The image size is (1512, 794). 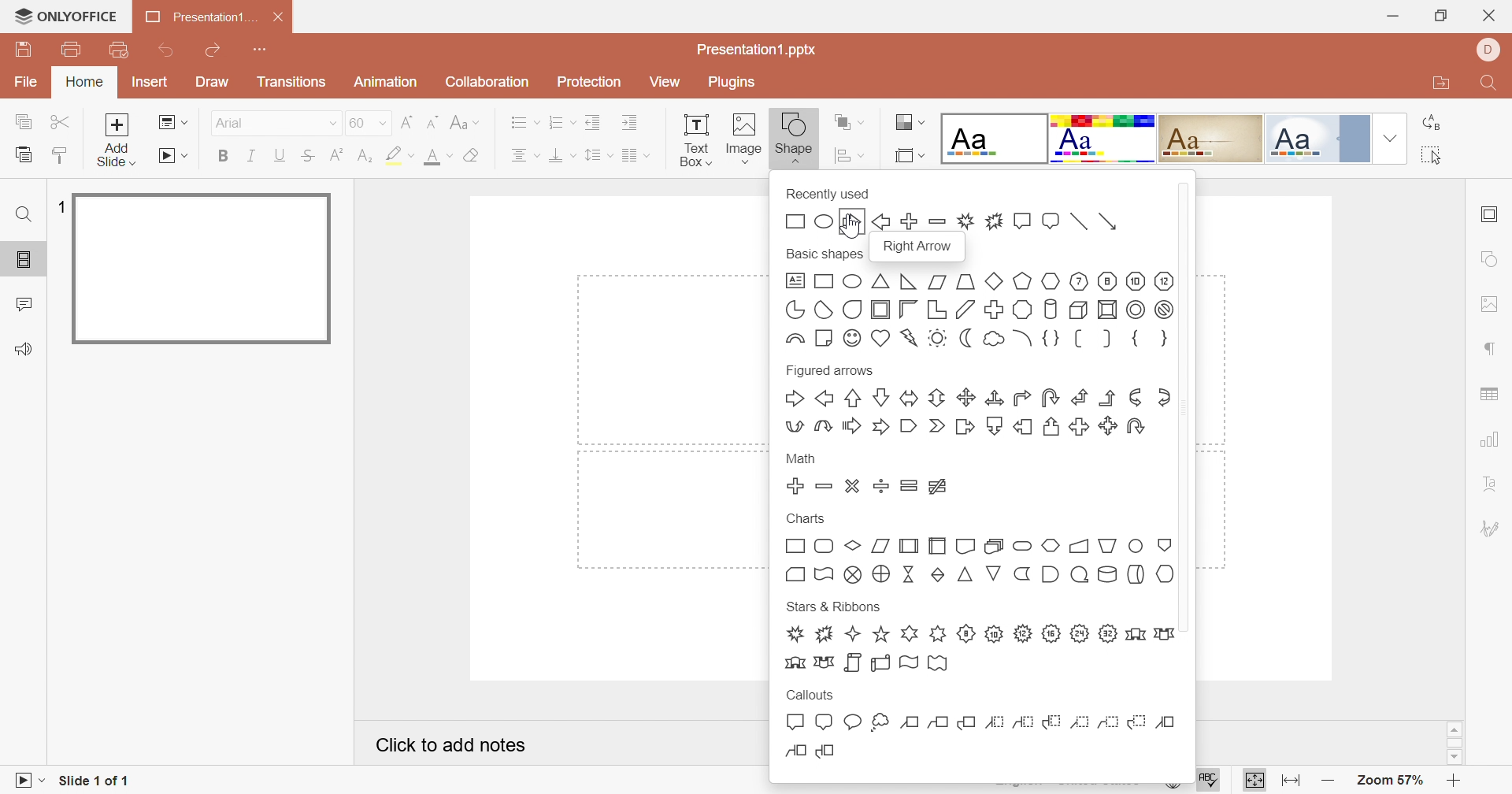 What do you see at coordinates (755, 50) in the screenshot?
I see `Presentation1.pptx` at bounding box center [755, 50].